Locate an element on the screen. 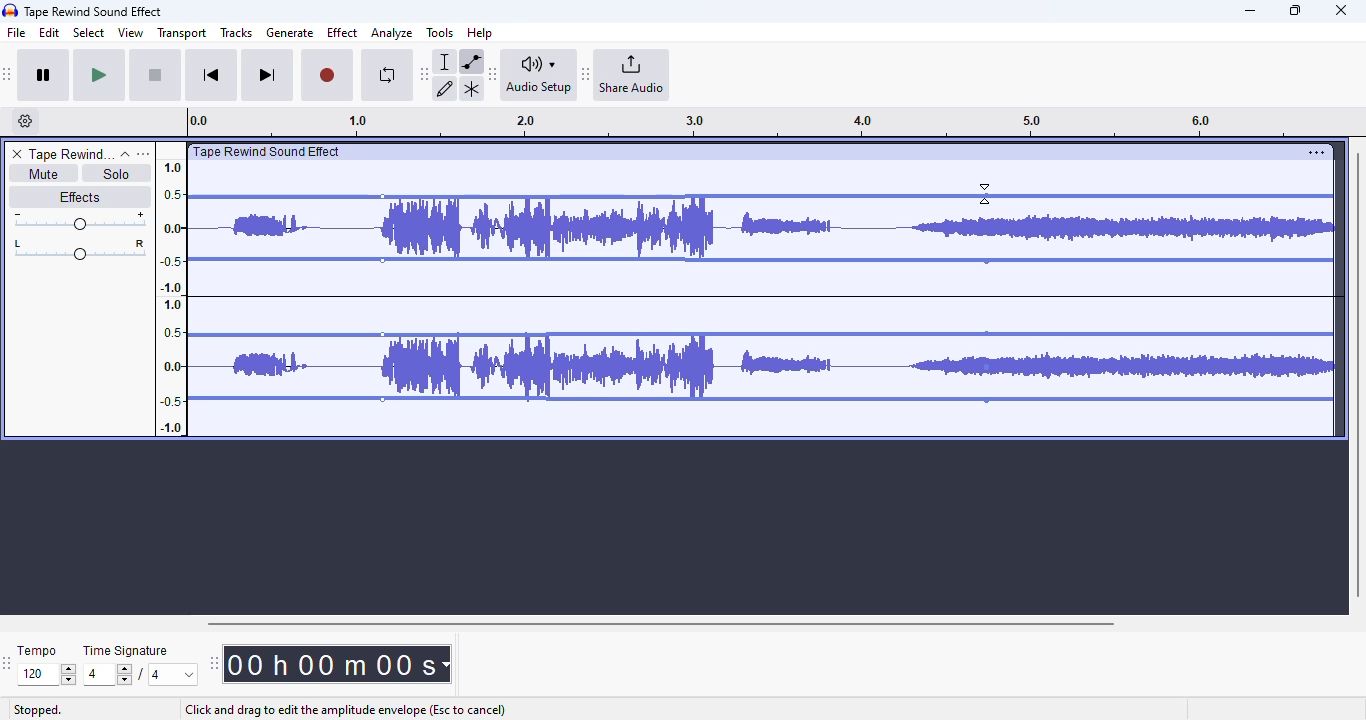 The height and width of the screenshot is (720, 1366). stop is located at coordinates (155, 76).